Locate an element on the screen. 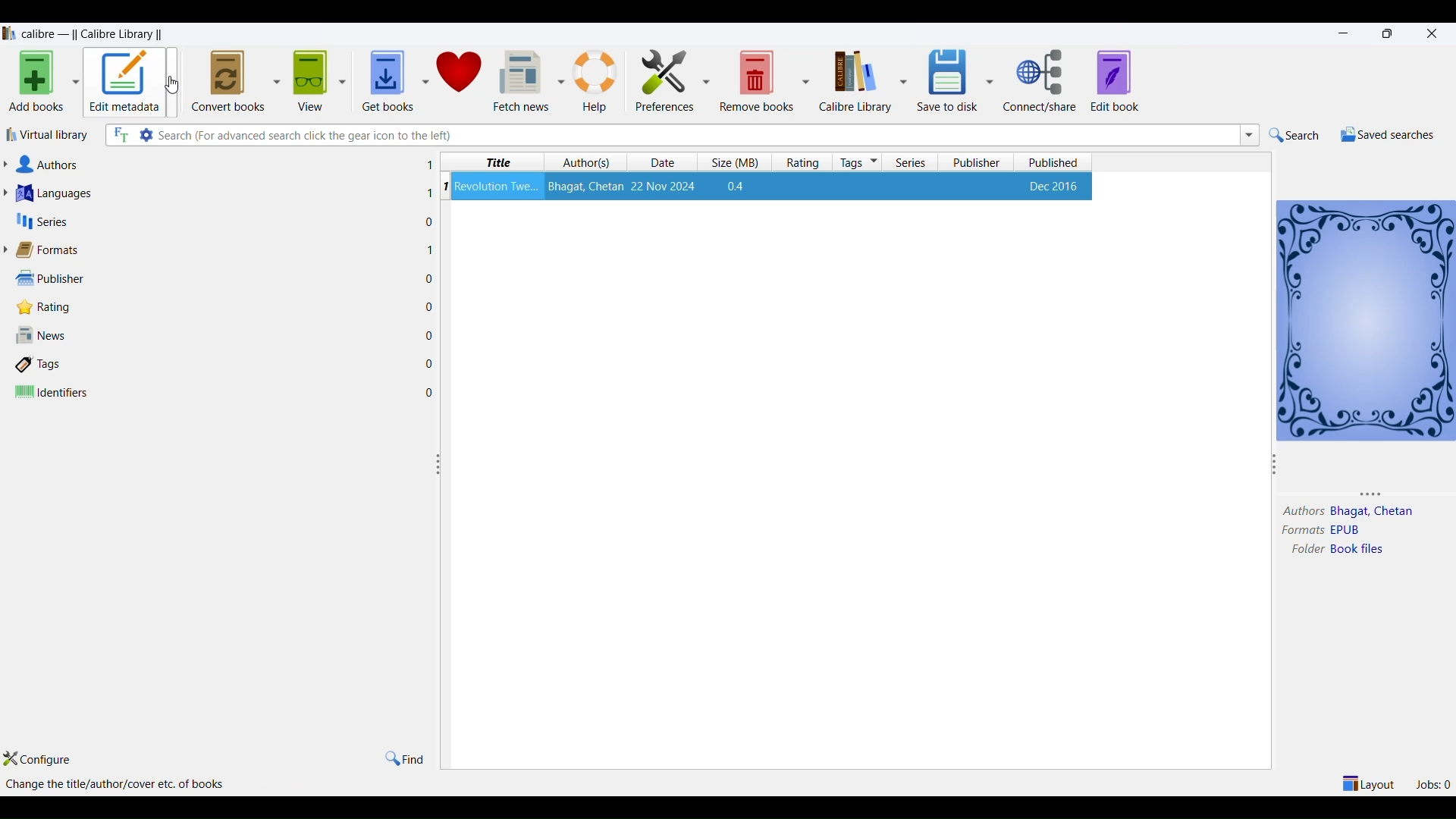 Image resolution: width=1456 pixels, height=819 pixels. search settings  is located at coordinates (146, 135).